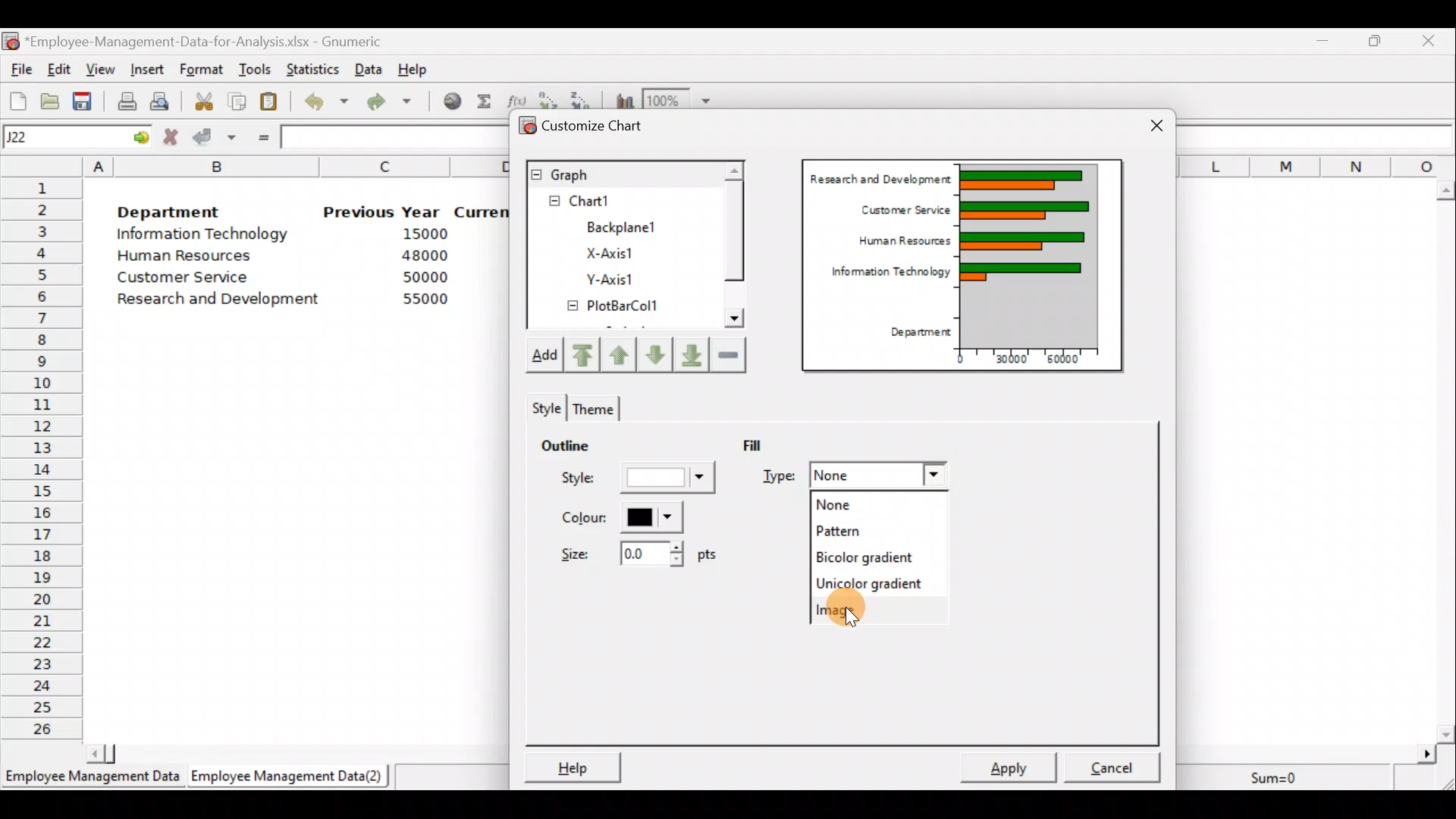  Describe the element at coordinates (261, 138) in the screenshot. I see `Enter formula` at that location.